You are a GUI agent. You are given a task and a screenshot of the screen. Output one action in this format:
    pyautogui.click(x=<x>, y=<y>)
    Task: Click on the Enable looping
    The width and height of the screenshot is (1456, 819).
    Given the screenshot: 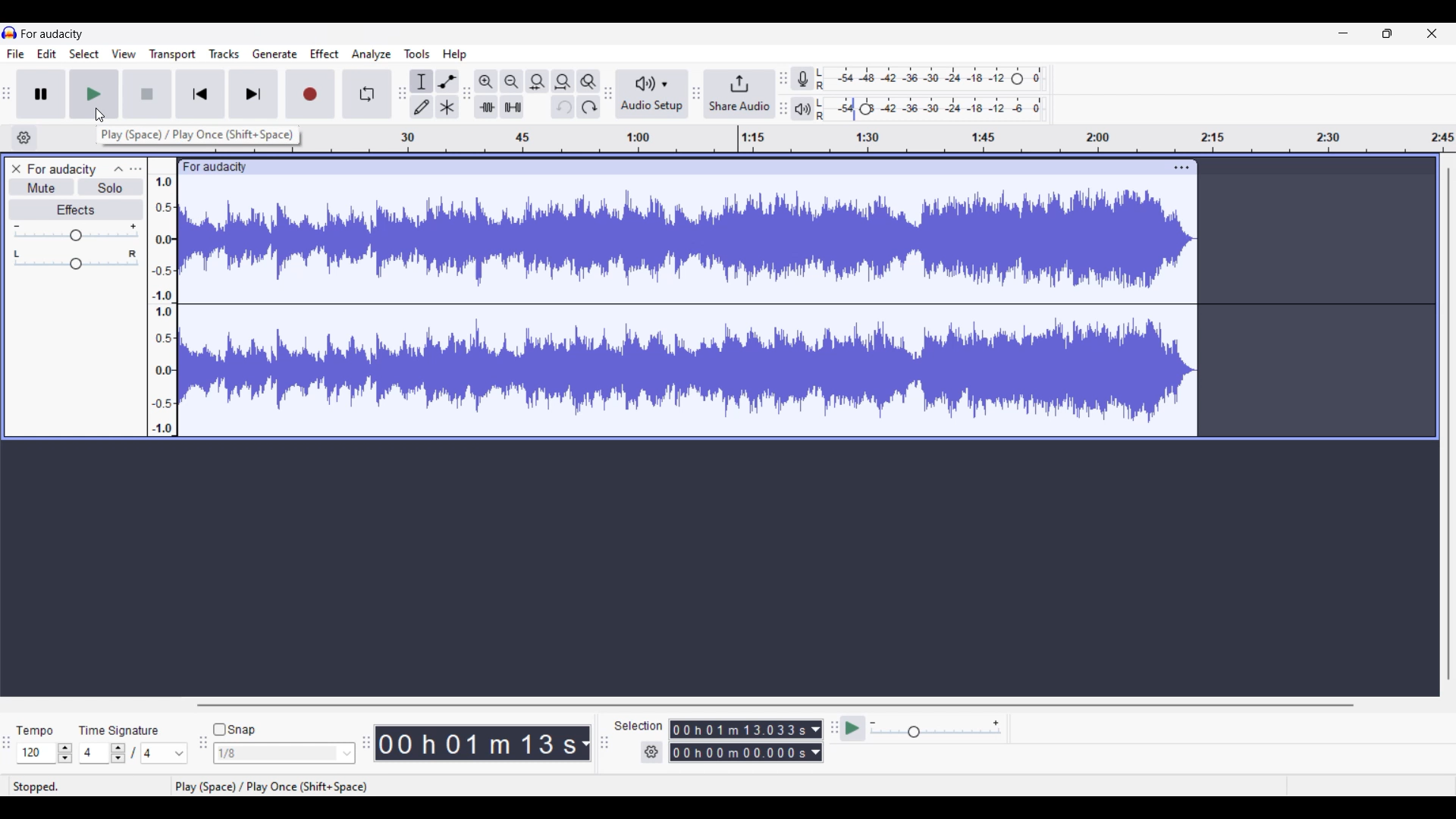 What is the action you would take?
    pyautogui.click(x=367, y=94)
    